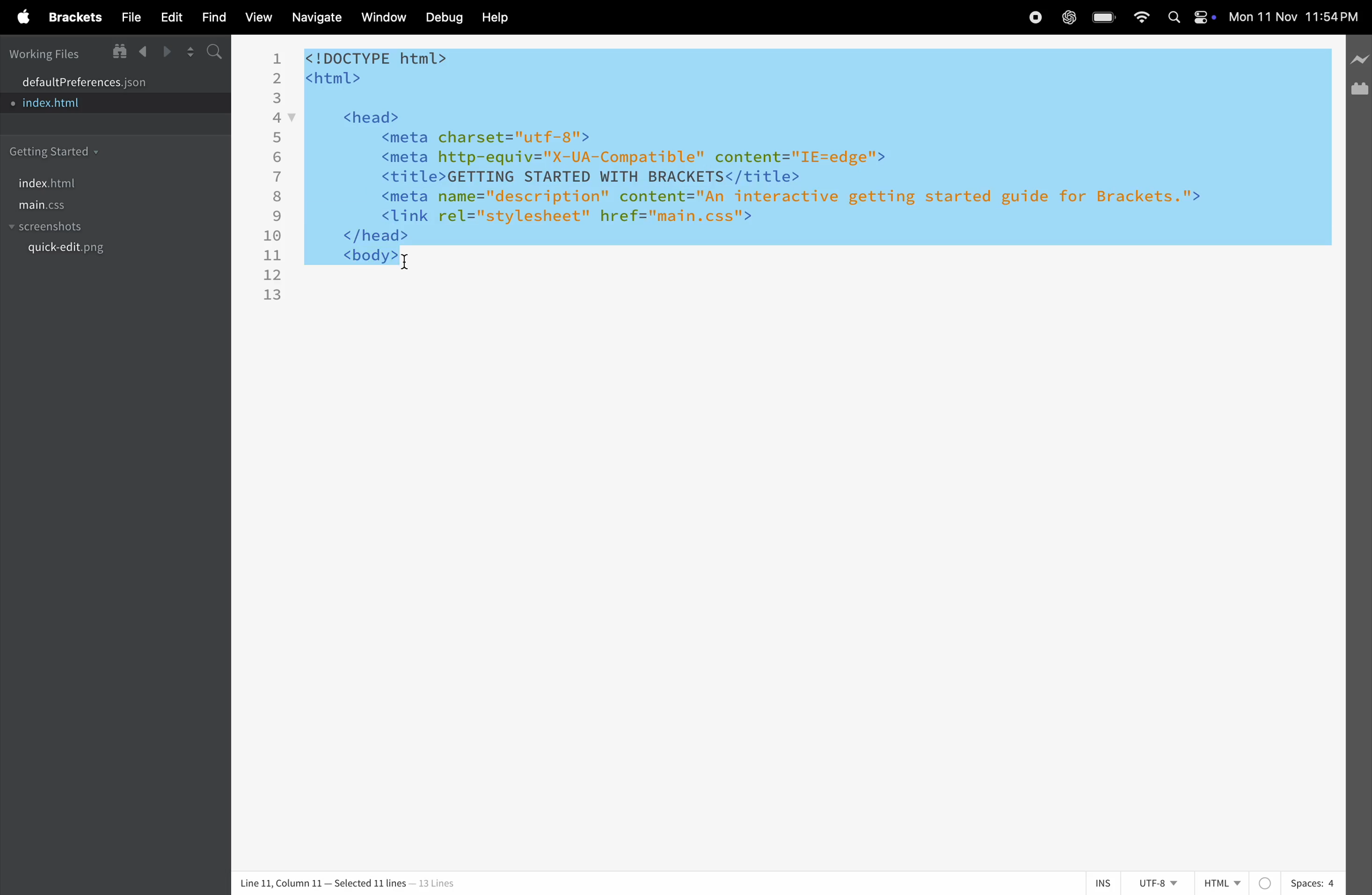 This screenshot has height=895, width=1372. Describe the element at coordinates (1069, 17) in the screenshot. I see `chatgpt` at that location.